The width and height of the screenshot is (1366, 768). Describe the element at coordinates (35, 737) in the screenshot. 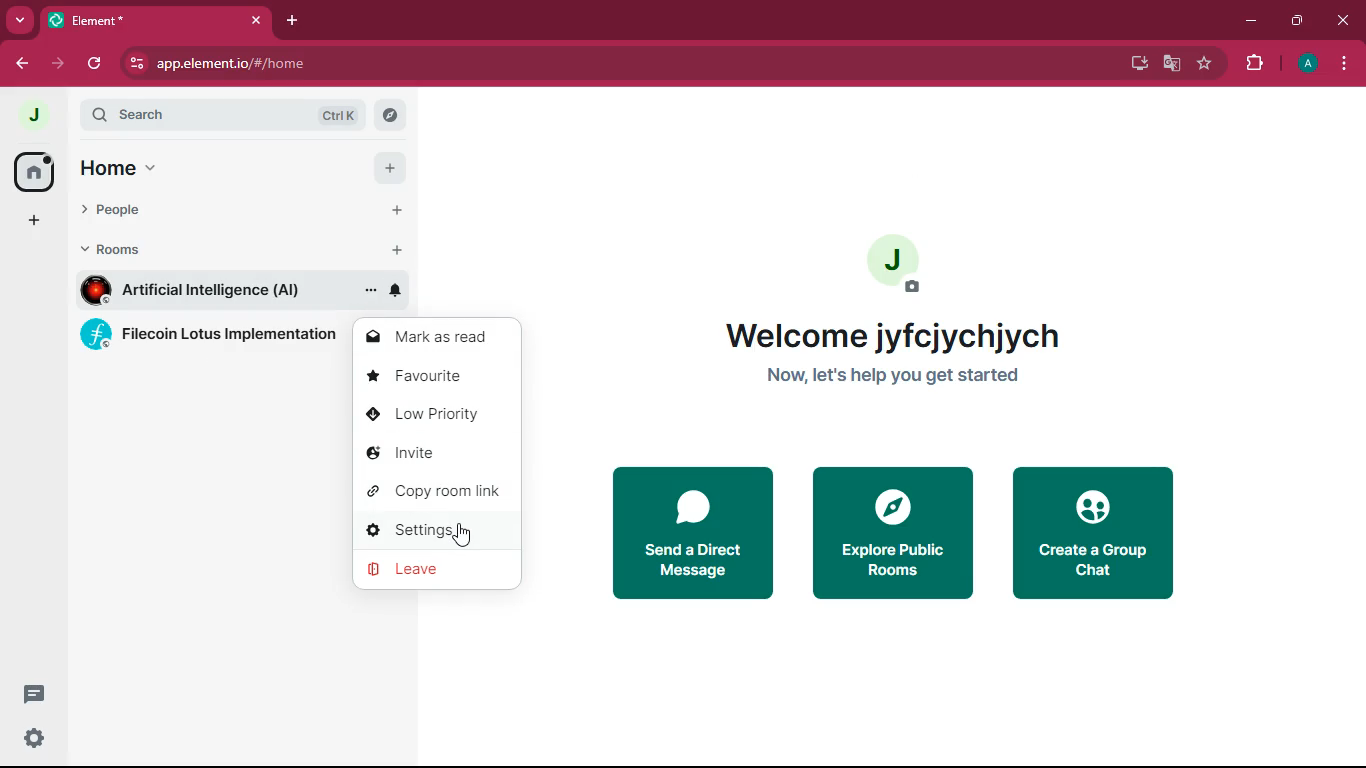

I see `settings` at that location.